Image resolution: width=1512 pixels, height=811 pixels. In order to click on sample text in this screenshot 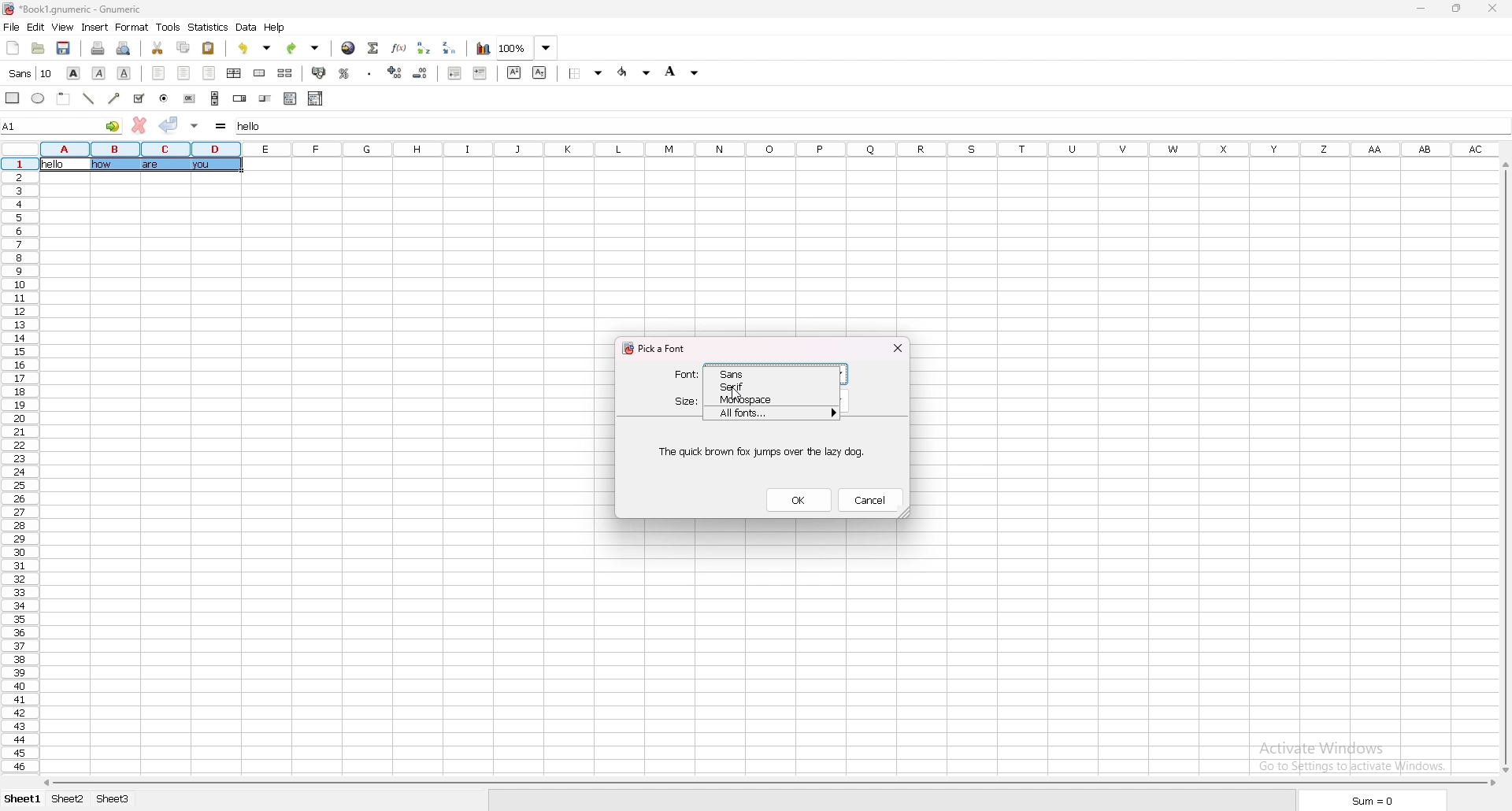, I will do `click(762, 451)`.